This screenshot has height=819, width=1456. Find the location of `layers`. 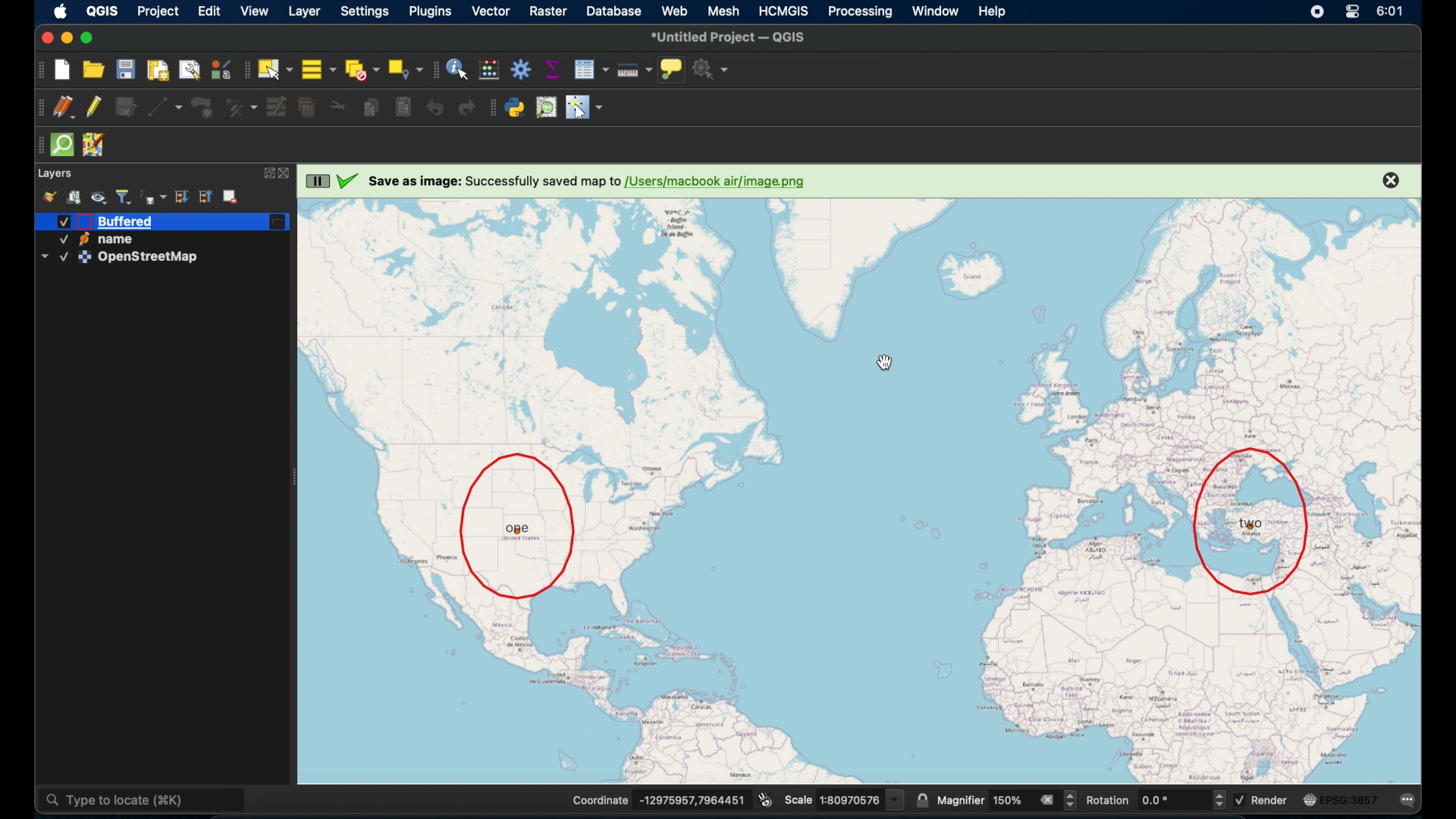

layers is located at coordinates (55, 173).